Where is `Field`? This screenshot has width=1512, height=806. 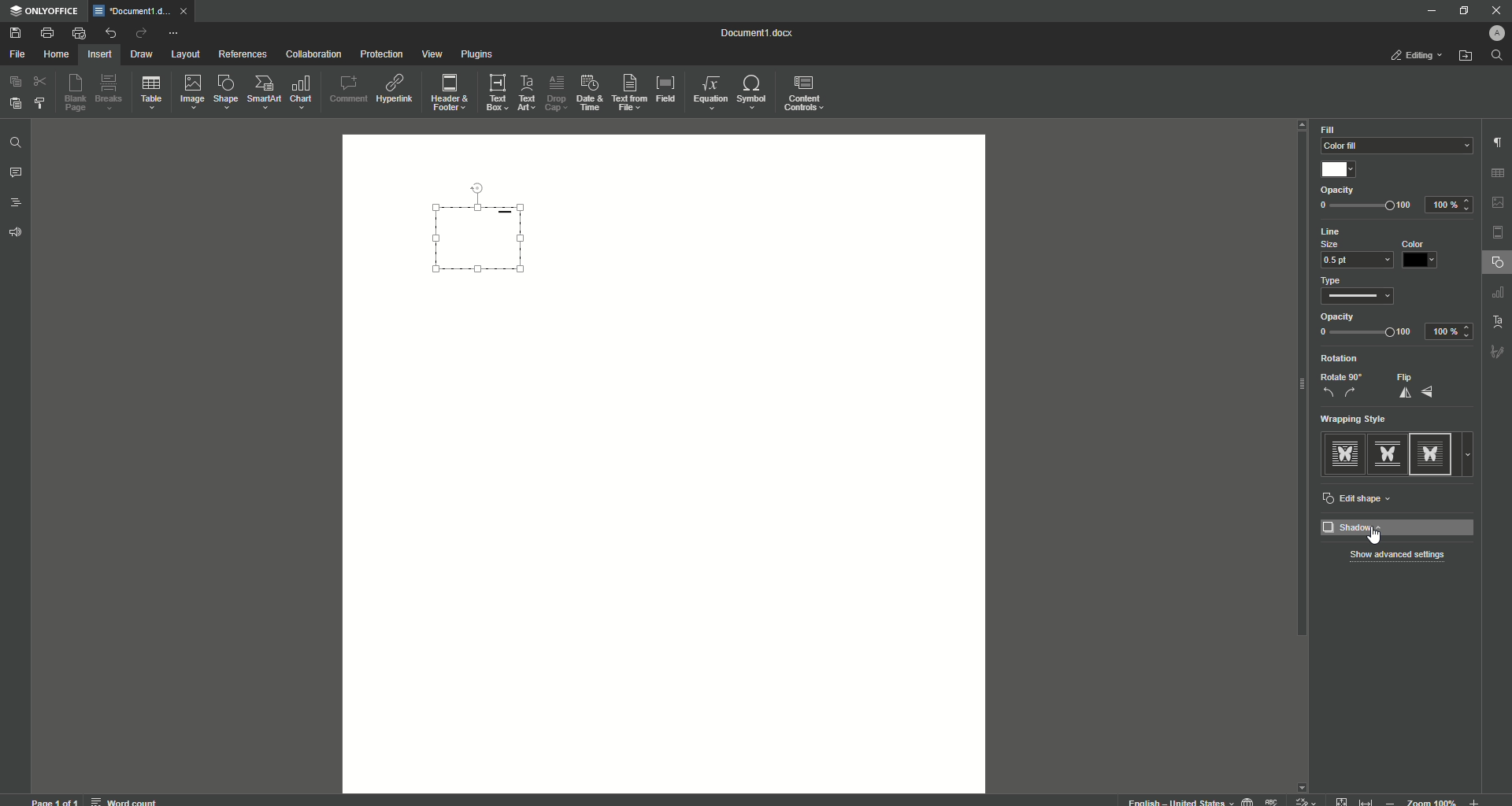 Field is located at coordinates (665, 87).